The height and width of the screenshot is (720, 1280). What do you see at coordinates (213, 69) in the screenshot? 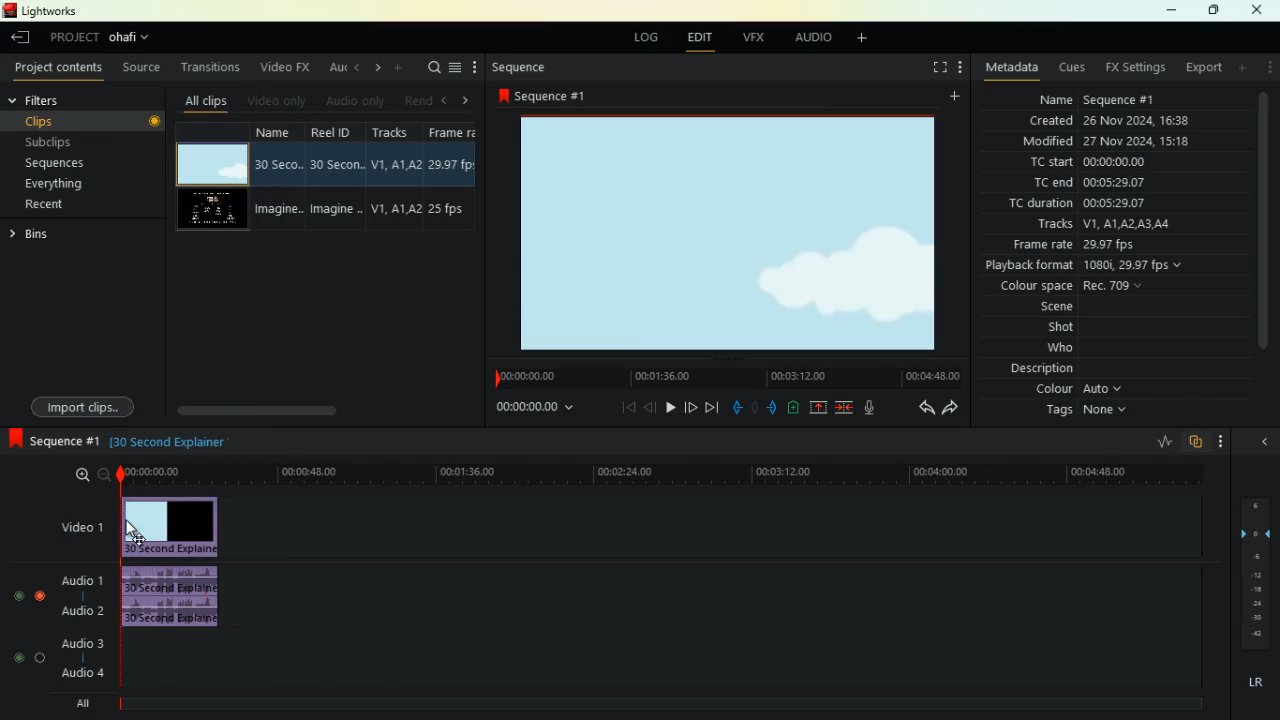
I see `transitions` at bounding box center [213, 69].